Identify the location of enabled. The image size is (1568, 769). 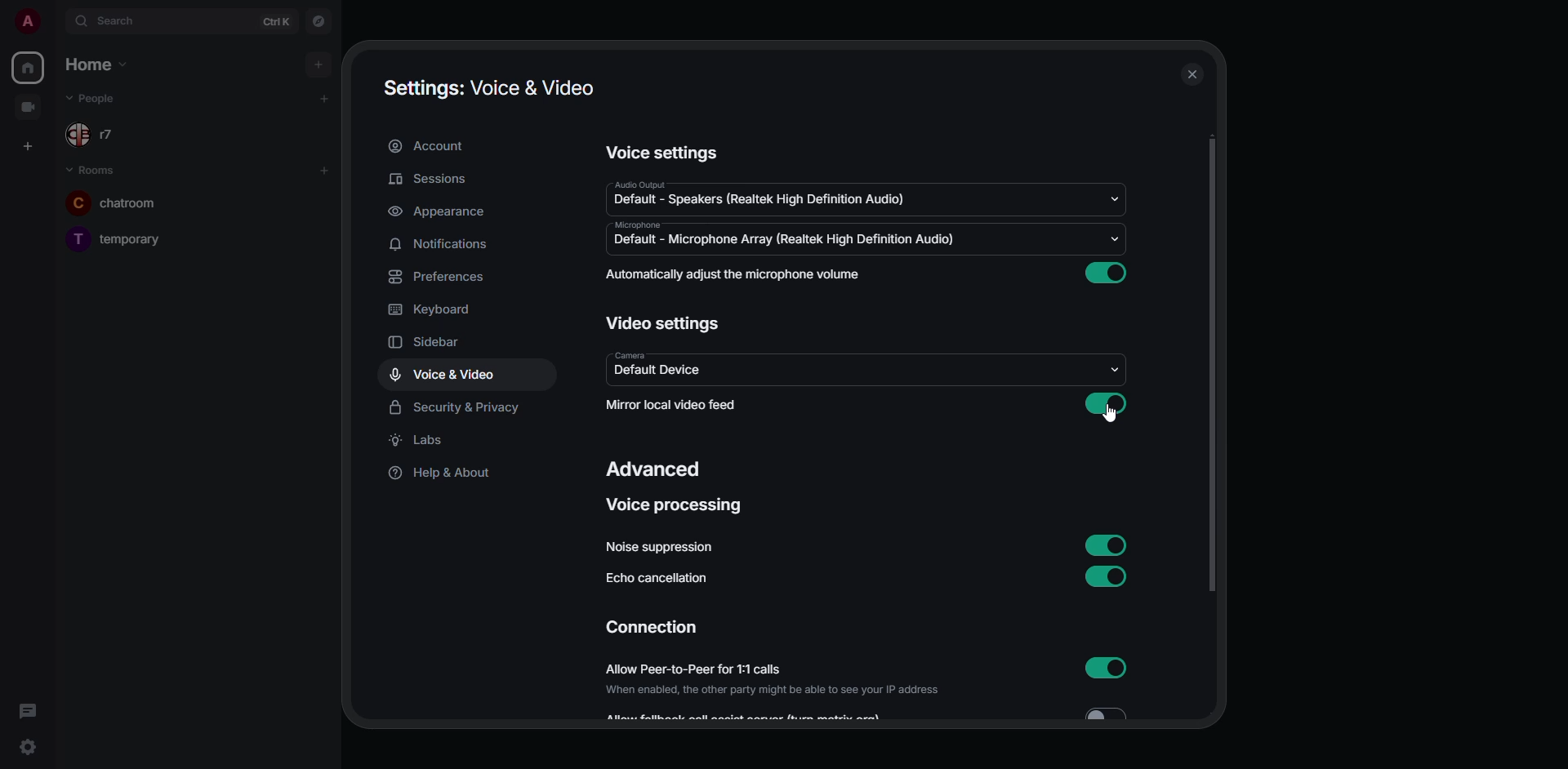
(1103, 402).